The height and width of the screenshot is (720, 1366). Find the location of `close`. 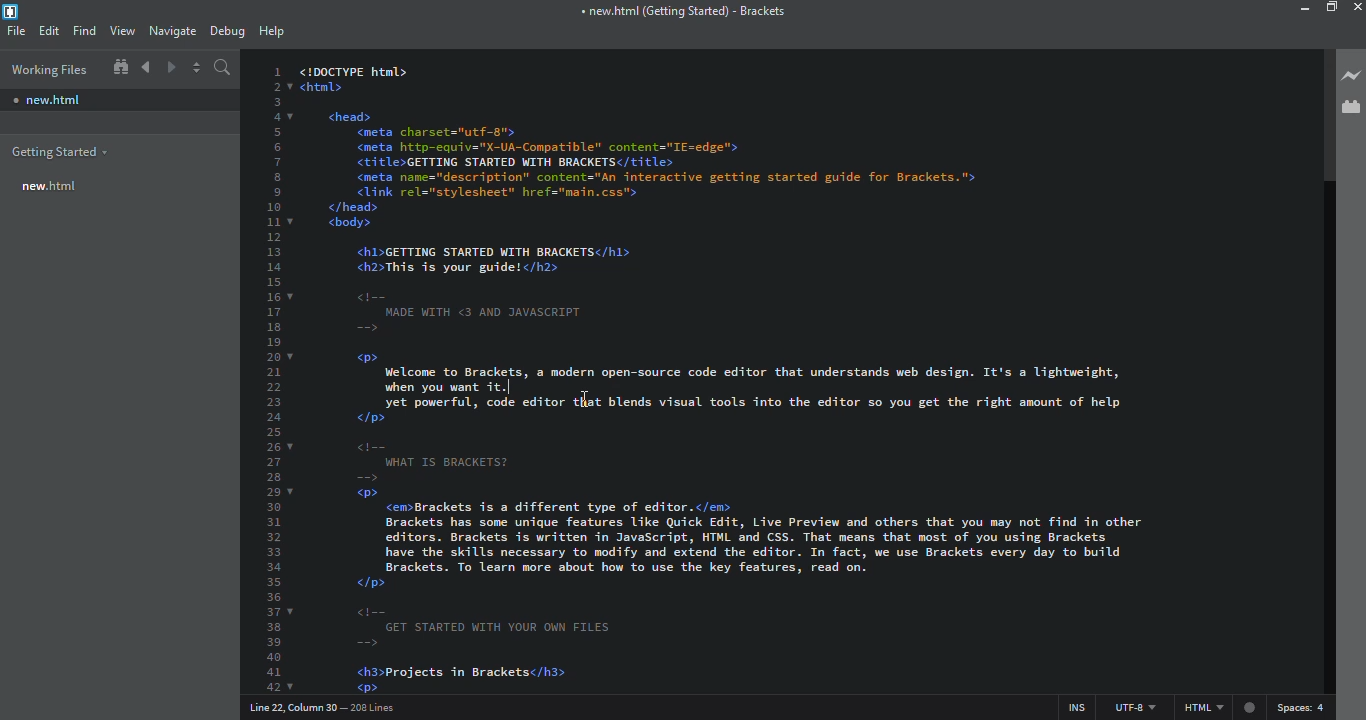

close is located at coordinates (1361, 6).